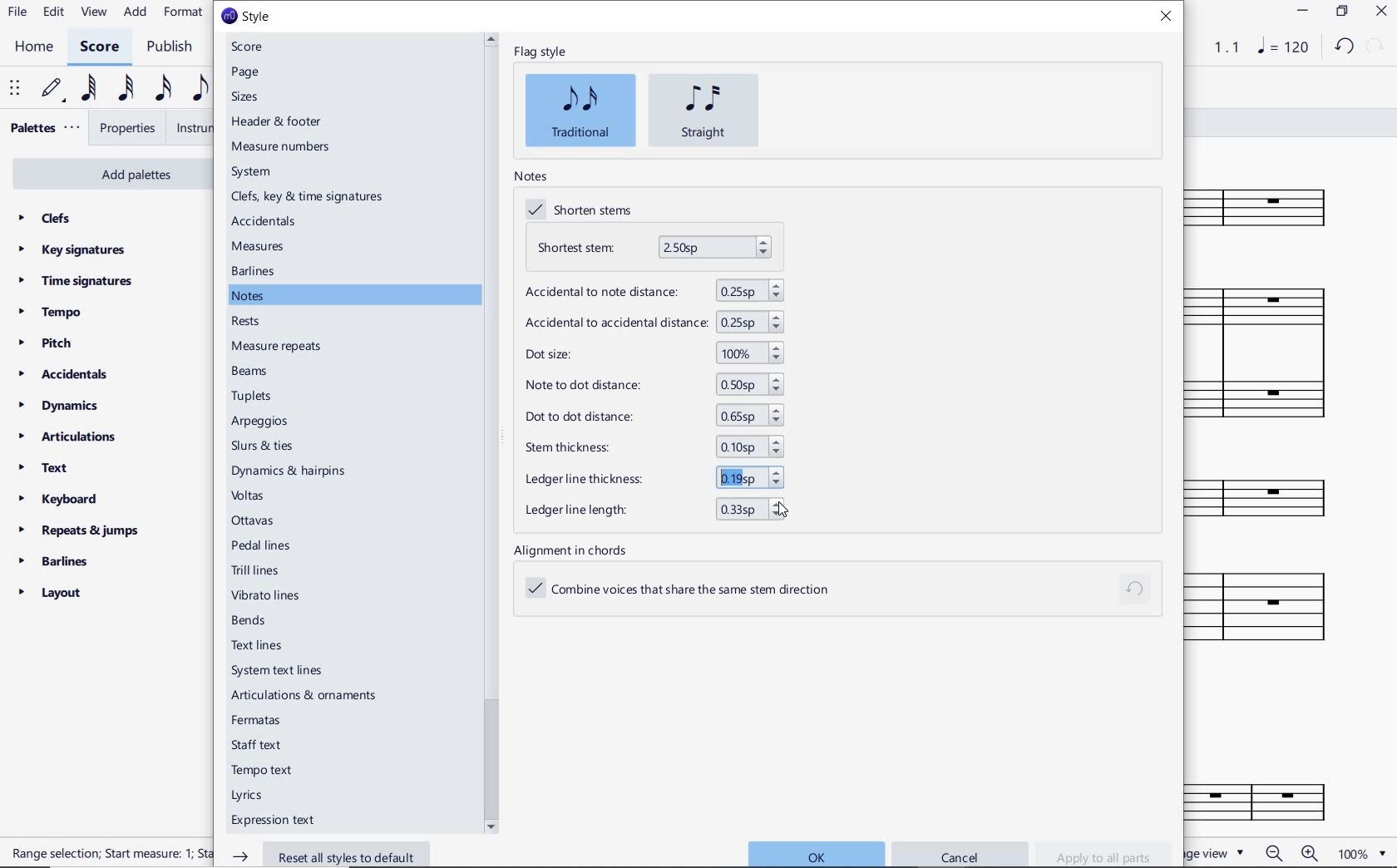 The image size is (1397, 868). What do you see at coordinates (284, 147) in the screenshot?
I see `measure numbers` at bounding box center [284, 147].